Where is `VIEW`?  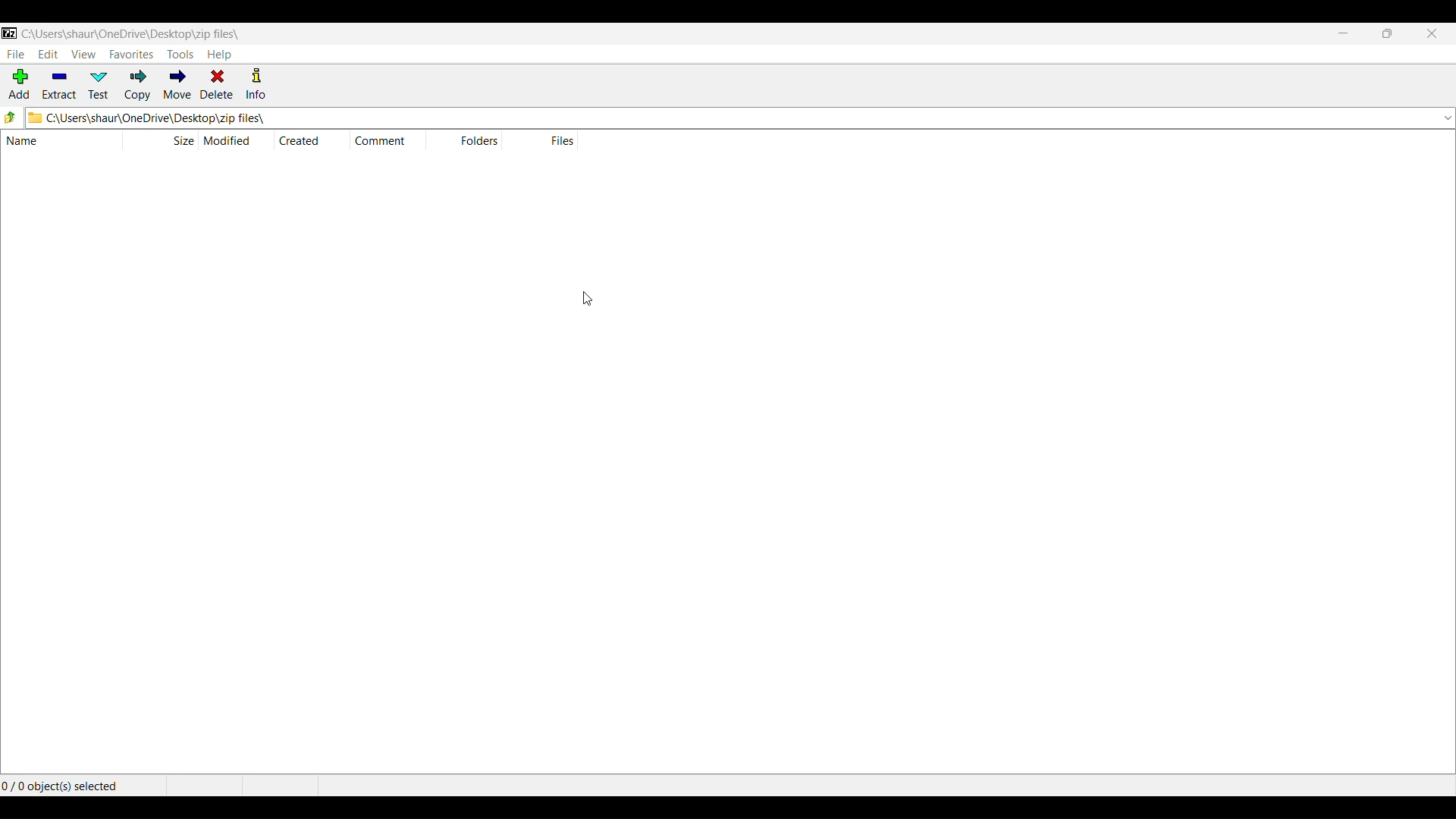 VIEW is located at coordinates (83, 53).